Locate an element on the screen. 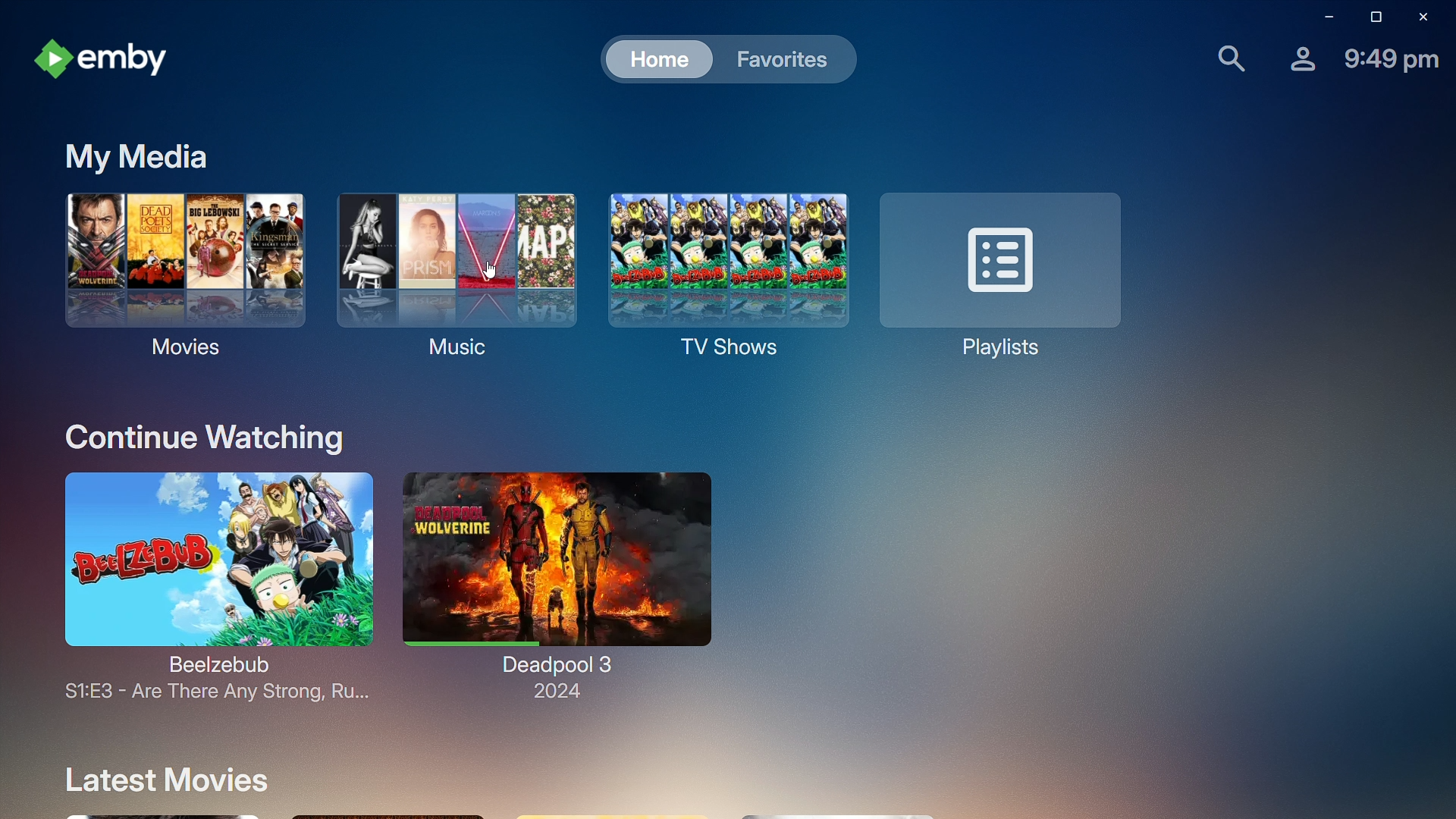 Image resolution: width=1456 pixels, height=819 pixels. Music is located at coordinates (451, 271).